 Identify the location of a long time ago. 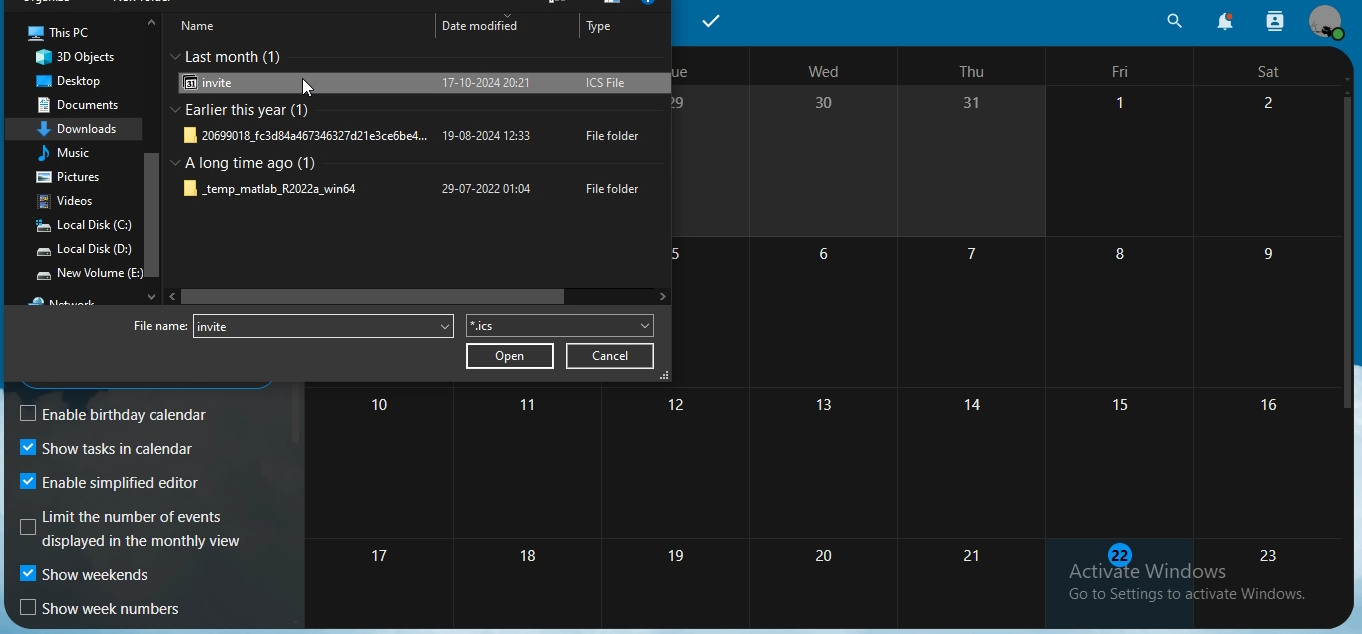
(255, 162).